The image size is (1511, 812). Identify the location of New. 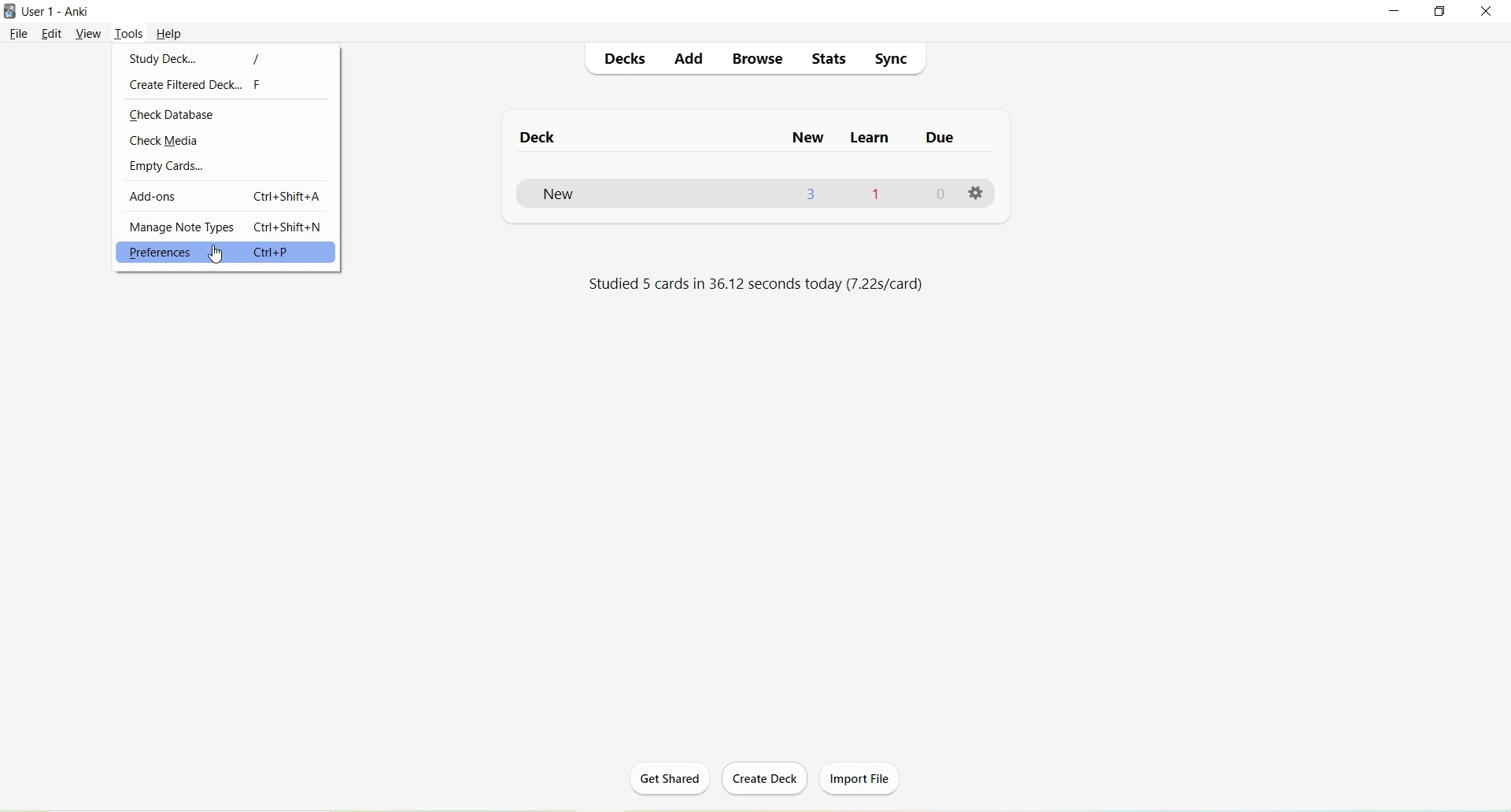
(810, 138).